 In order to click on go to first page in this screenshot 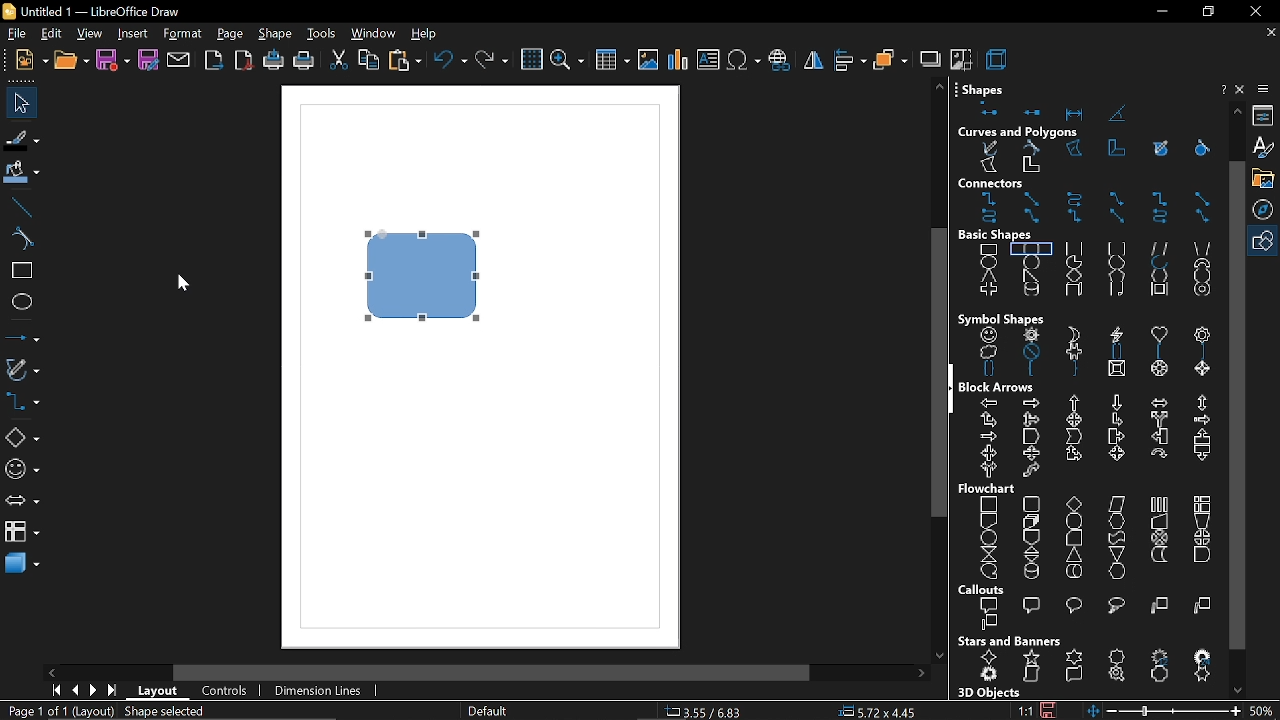, I will do `click(53, 690)`.